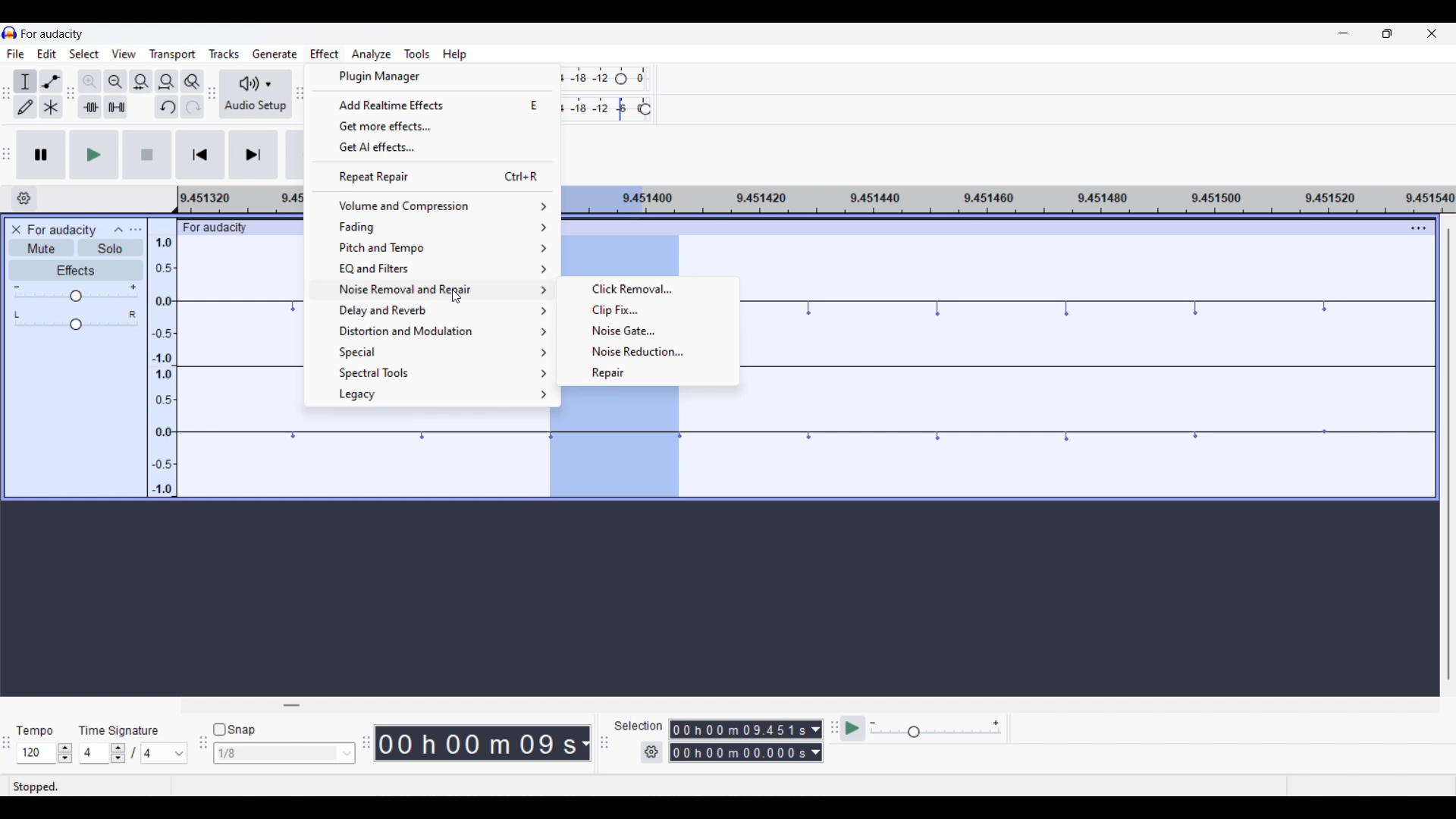  I want to click on Select menu, so click(85, 54).